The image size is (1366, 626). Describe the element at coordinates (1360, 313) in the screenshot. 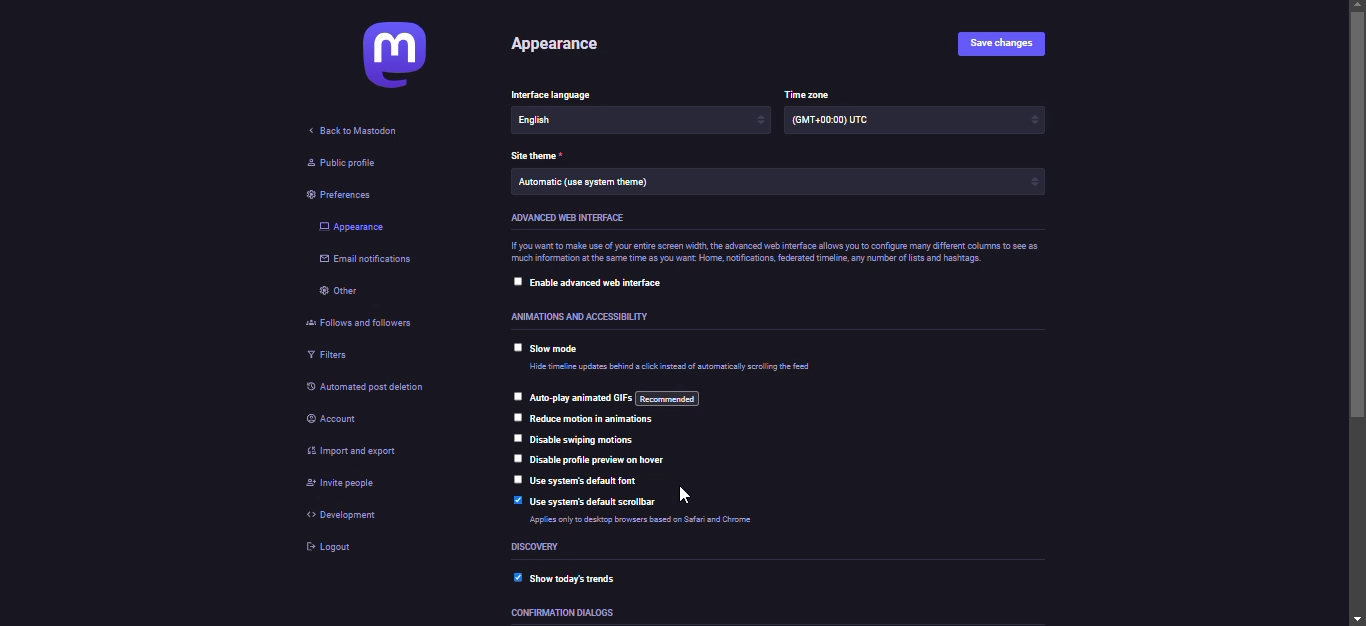

I see `scroll bar` at that location.